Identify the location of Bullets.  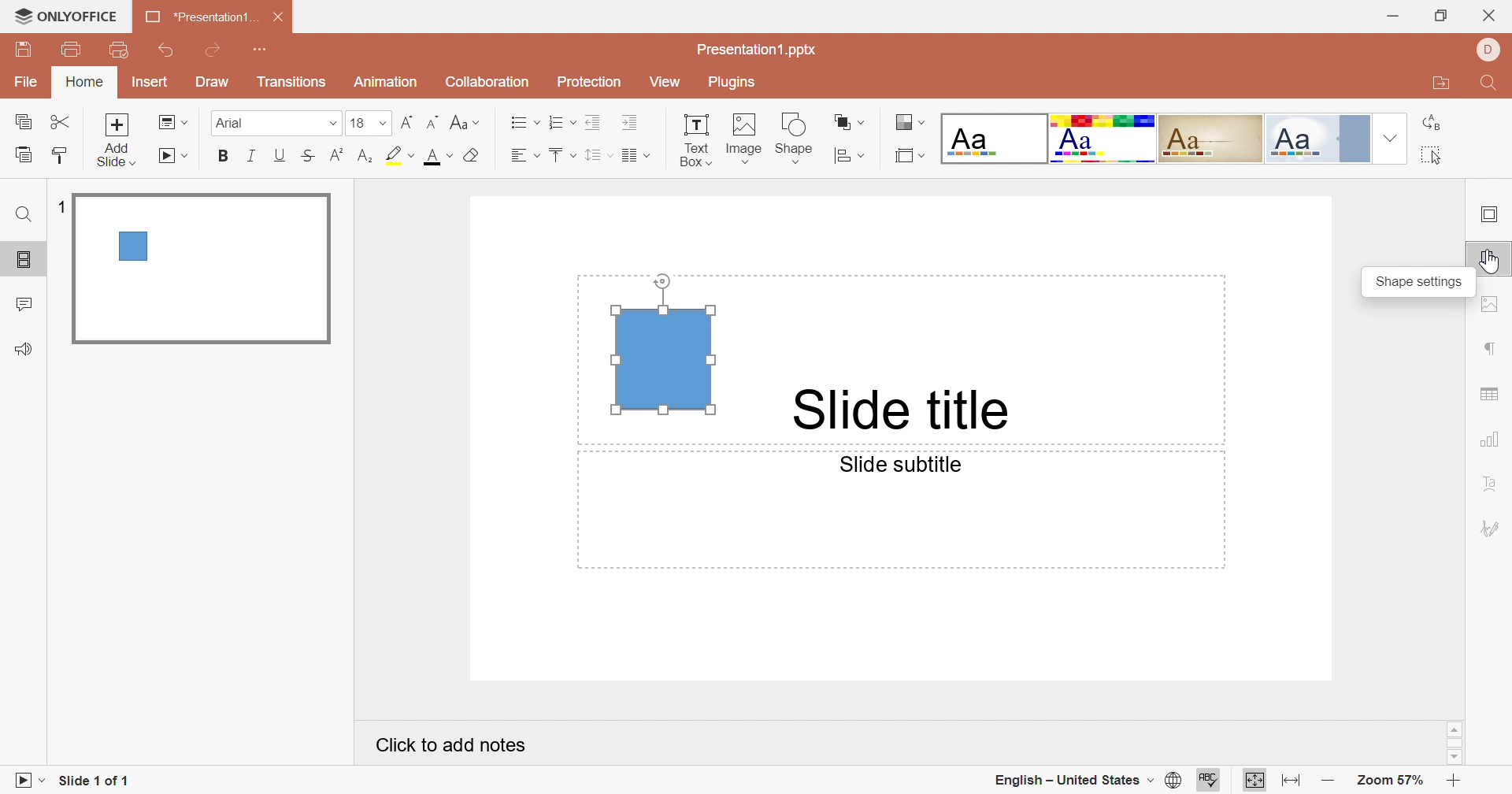
(525, 124).